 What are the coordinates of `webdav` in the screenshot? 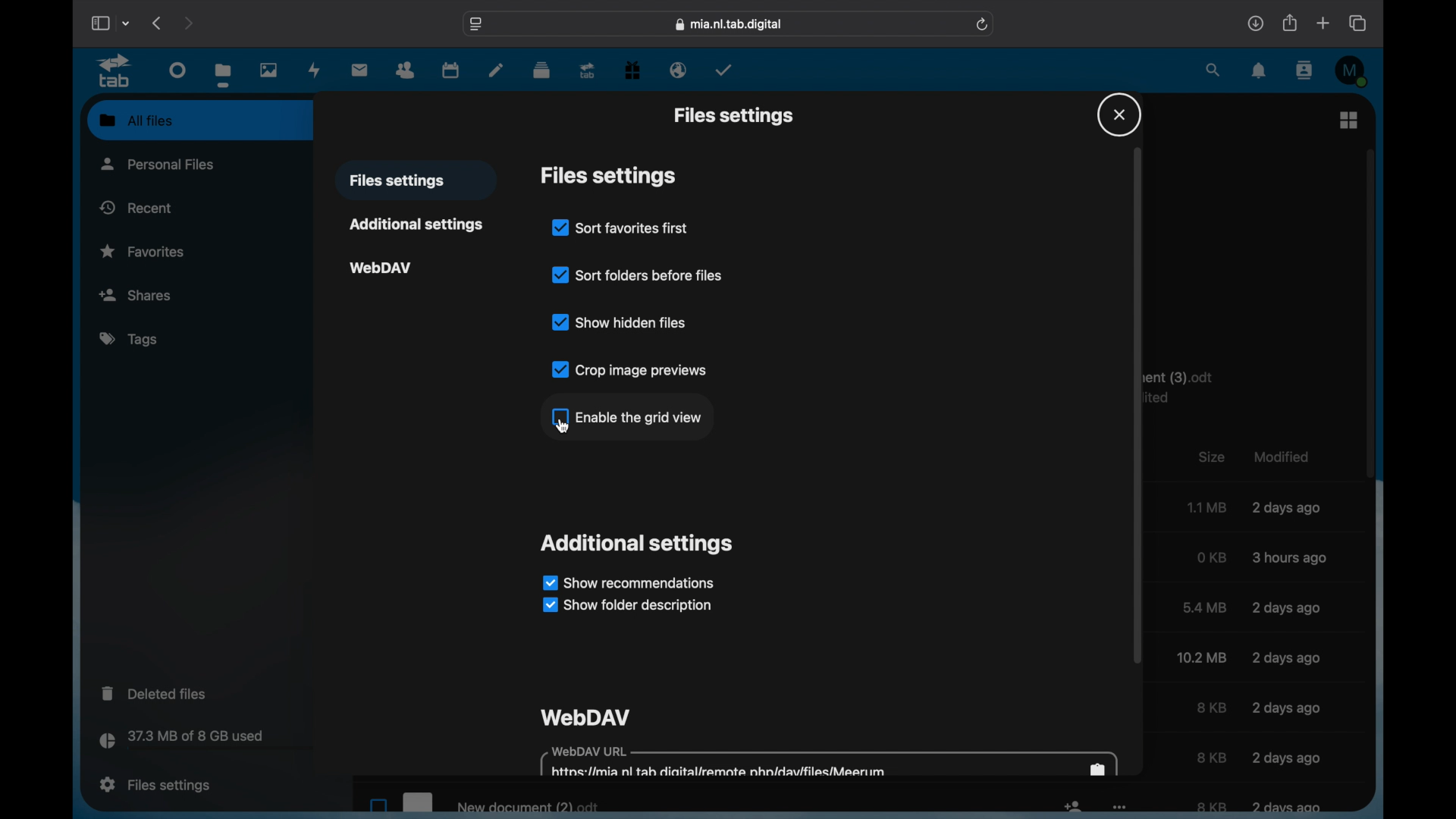 It's located at (587, 716).